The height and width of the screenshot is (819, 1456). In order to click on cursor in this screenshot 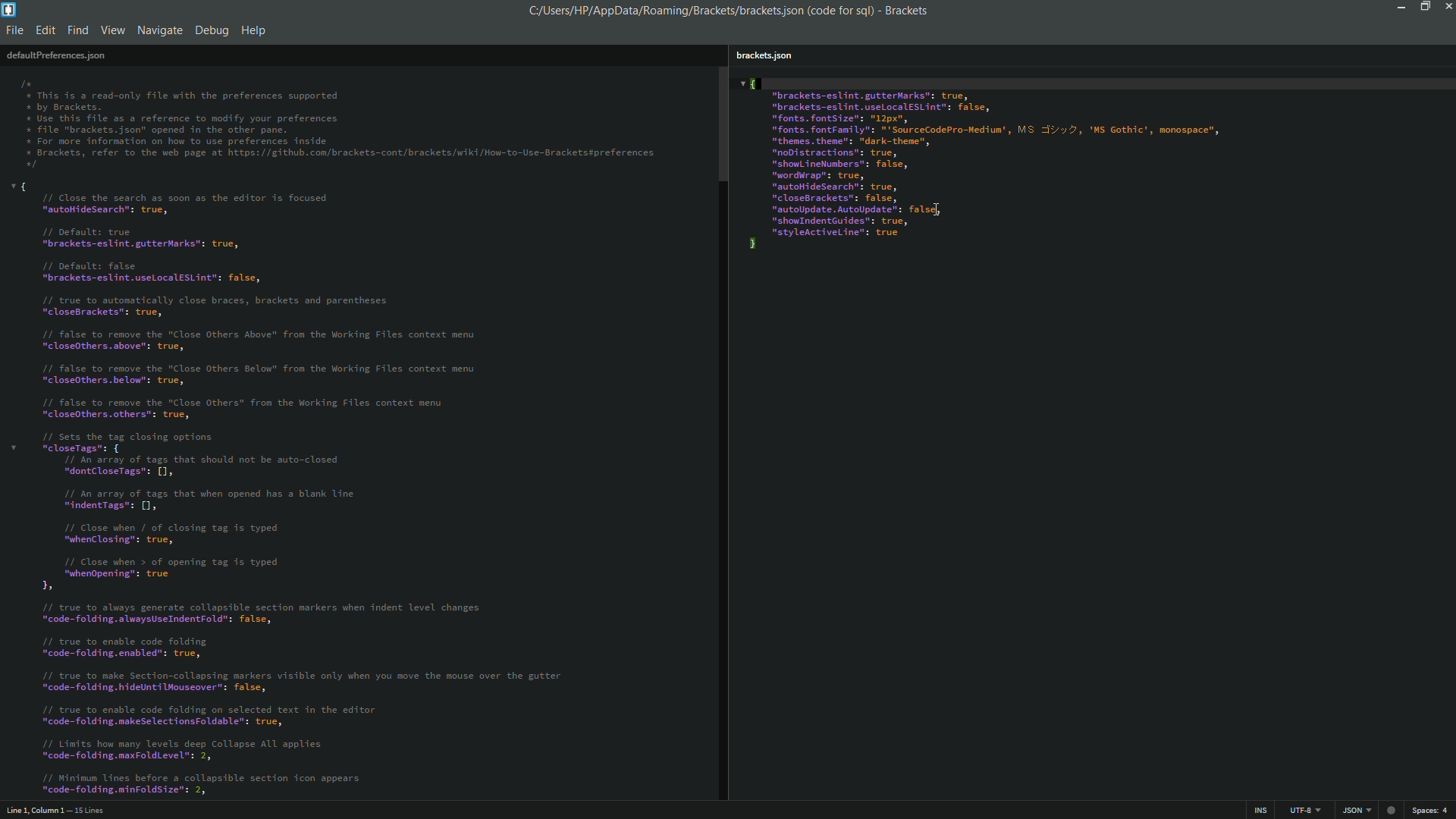, I will do `click(937, 214)`.